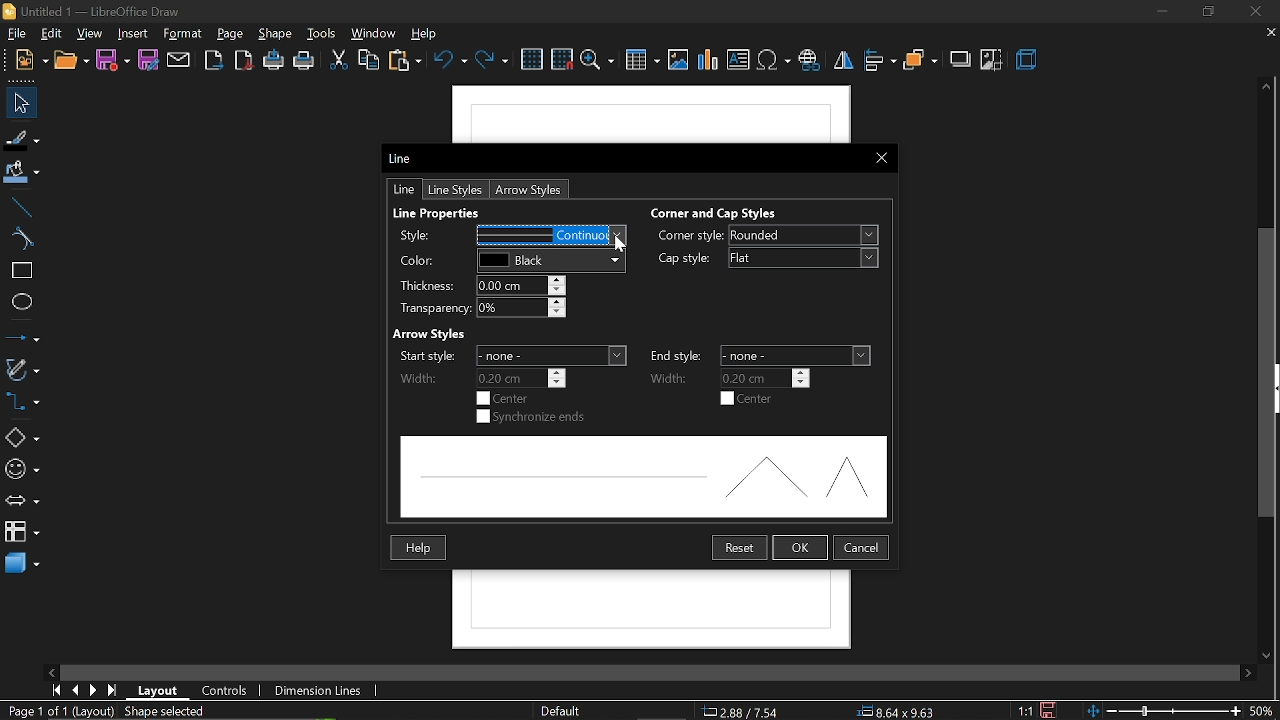  What do you see at coordinates (114, 691) in the screenshot?
I see `go to last page` at bounding box center [114, 691].